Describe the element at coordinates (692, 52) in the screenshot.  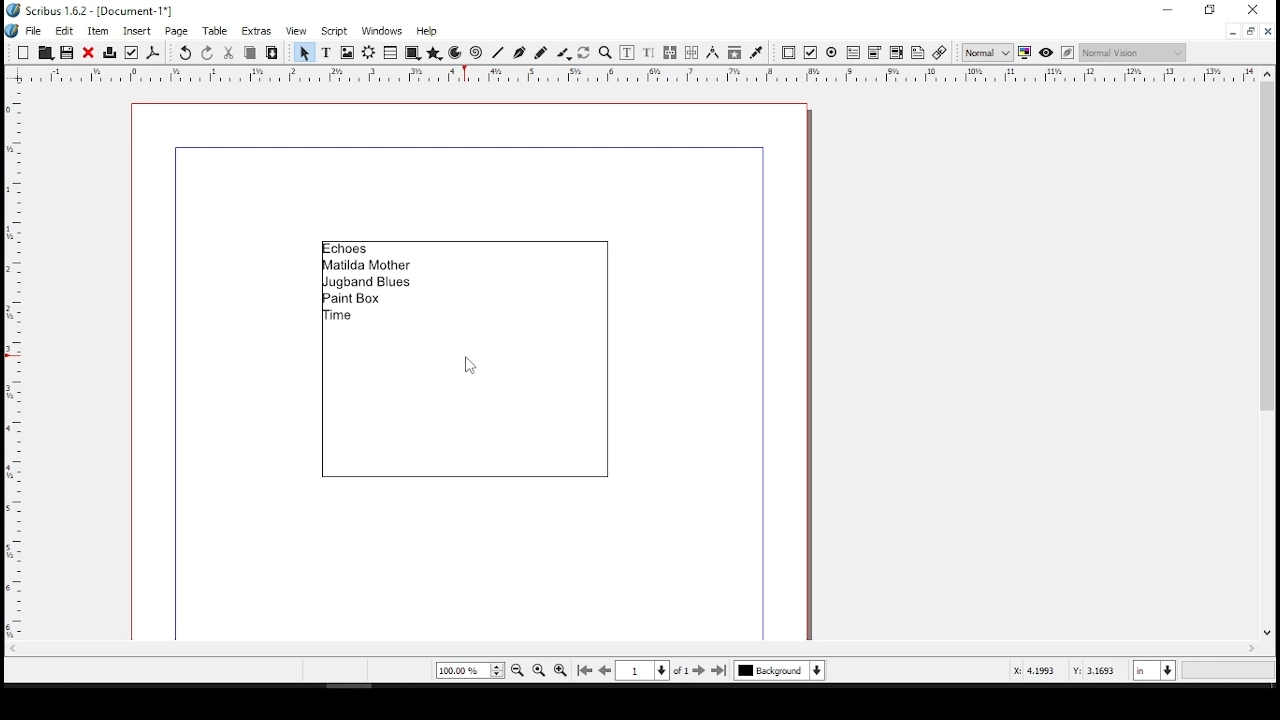
I see `unlink text frames` at that location.